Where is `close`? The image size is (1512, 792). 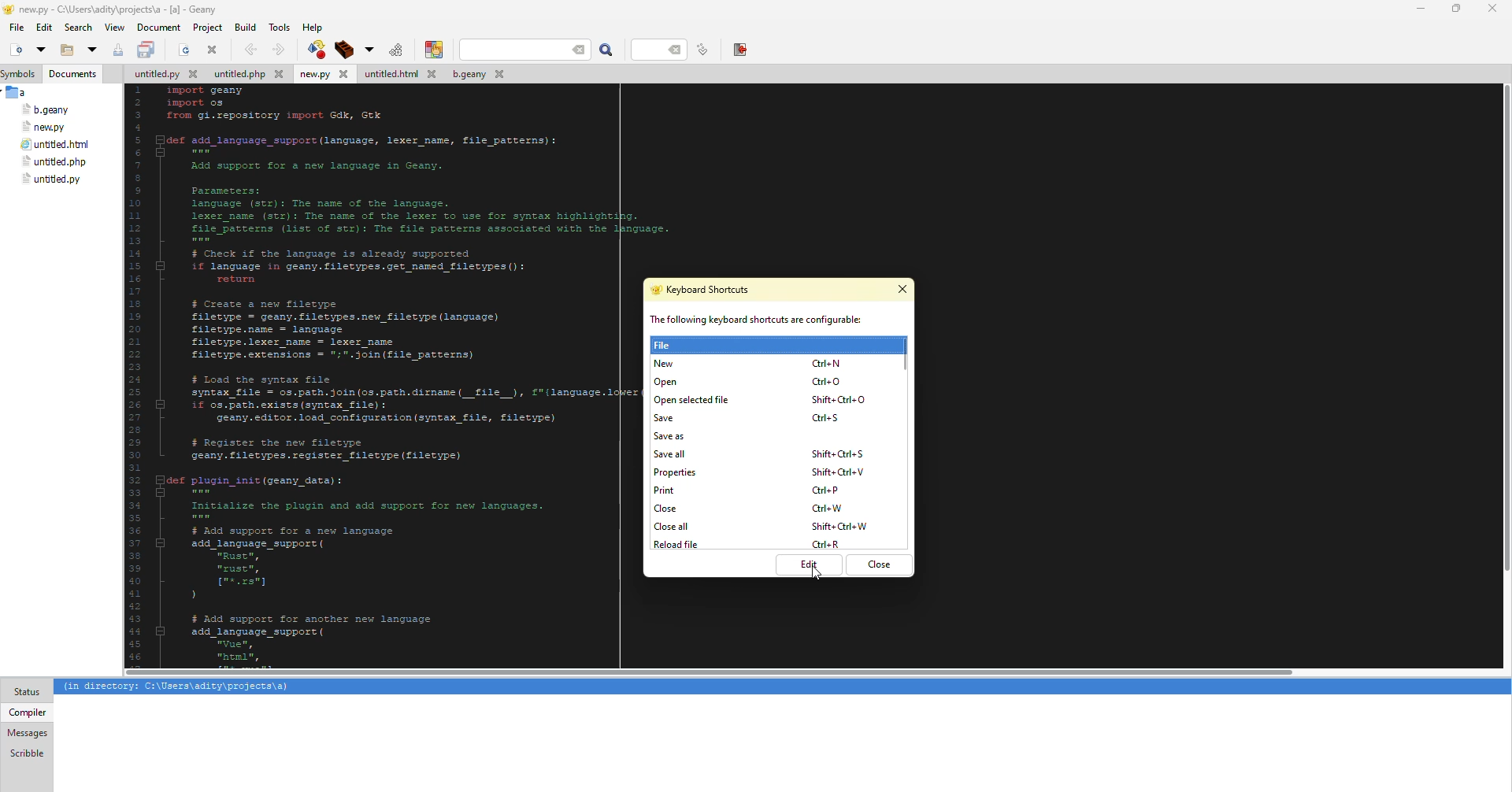 close is located at coordinates (902, 288).